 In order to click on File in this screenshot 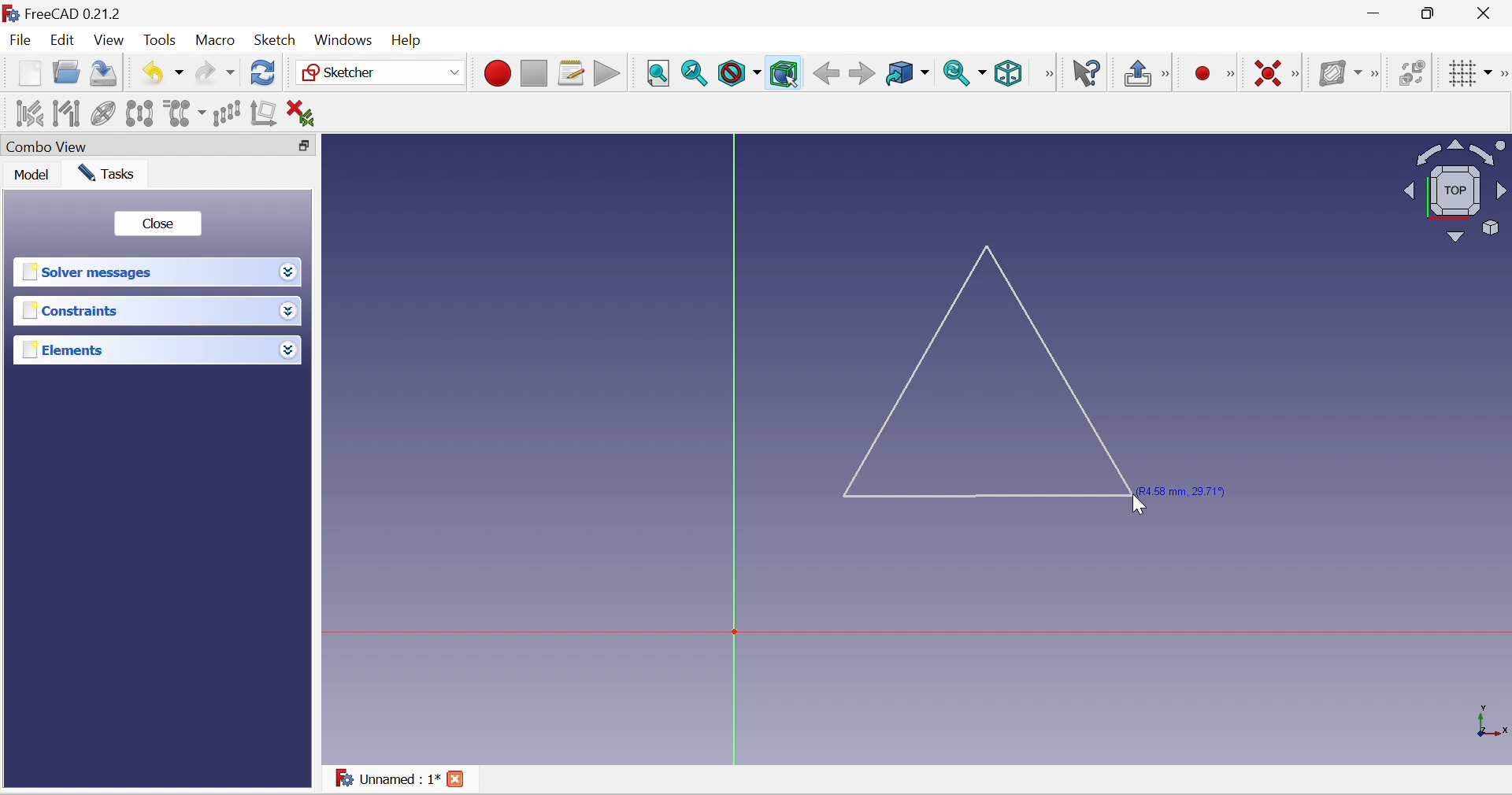, I will do `click(20, 39)`.